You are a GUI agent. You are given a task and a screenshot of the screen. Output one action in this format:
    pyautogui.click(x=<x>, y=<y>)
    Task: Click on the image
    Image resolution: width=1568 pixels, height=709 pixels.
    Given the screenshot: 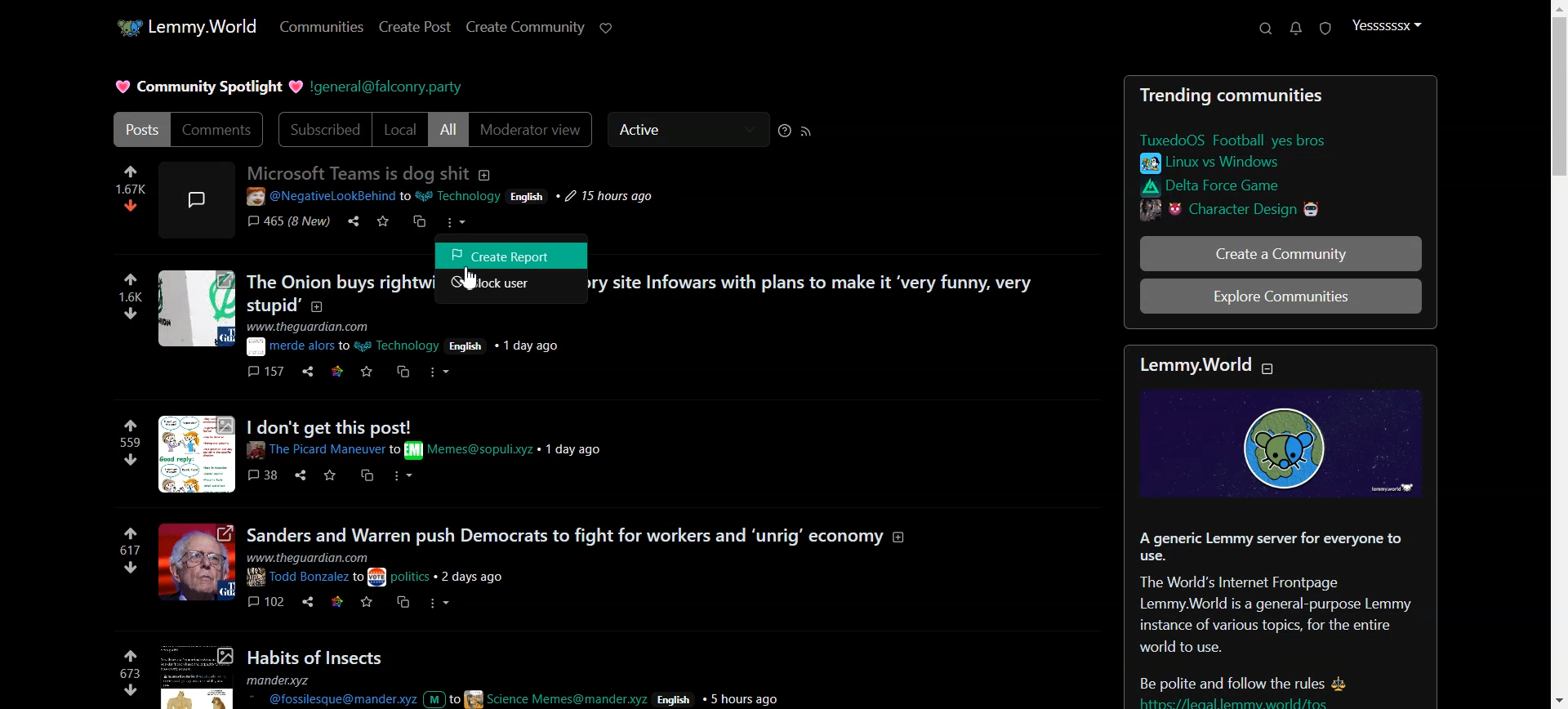 What is the action you would take?
    pyautogui.click(x=196, y=310)
    